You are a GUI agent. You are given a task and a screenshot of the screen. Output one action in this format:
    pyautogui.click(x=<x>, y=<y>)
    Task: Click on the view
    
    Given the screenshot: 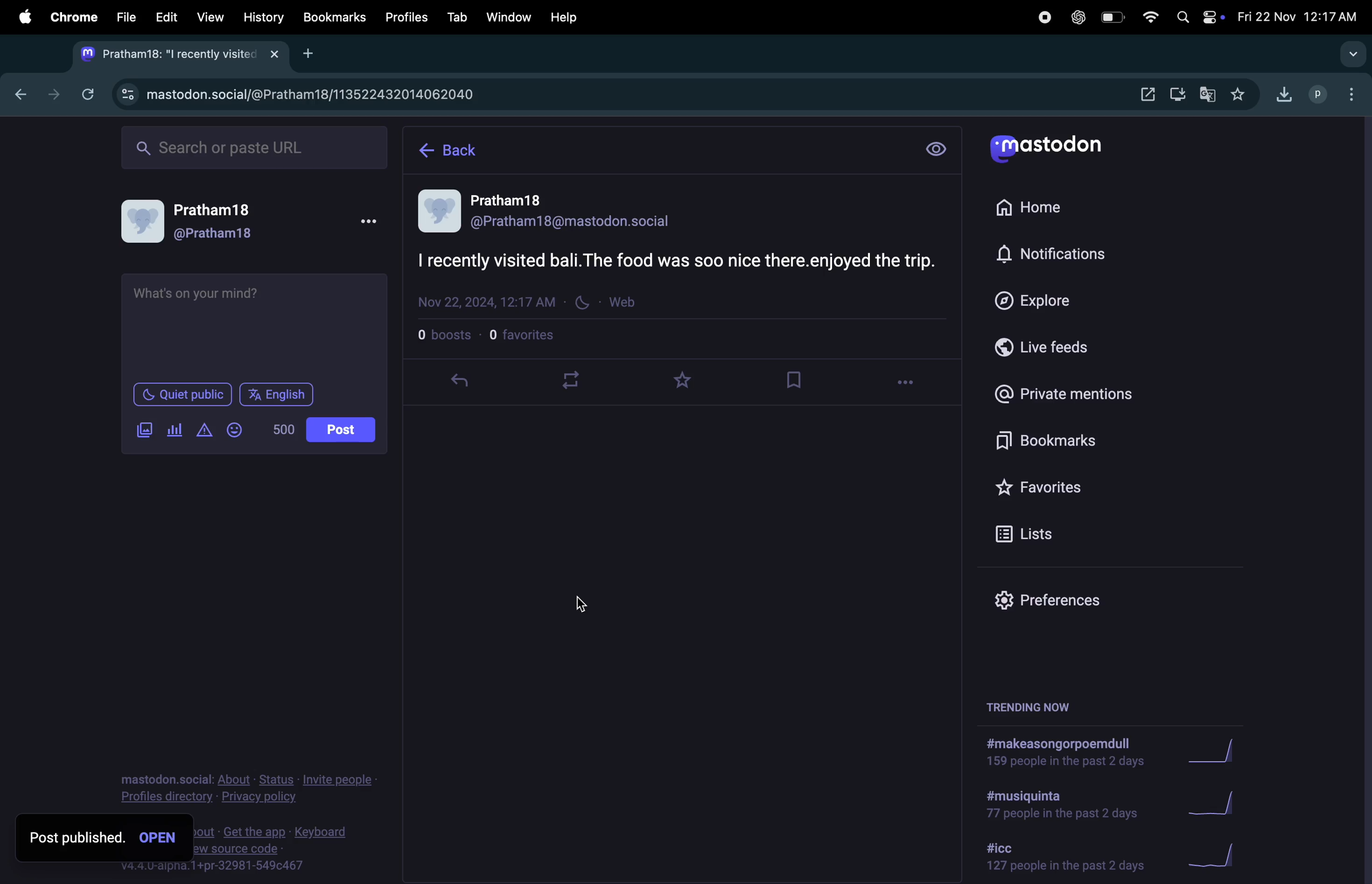 What is the action you would take?
    pyautogui.click(x=211, y=17)
    